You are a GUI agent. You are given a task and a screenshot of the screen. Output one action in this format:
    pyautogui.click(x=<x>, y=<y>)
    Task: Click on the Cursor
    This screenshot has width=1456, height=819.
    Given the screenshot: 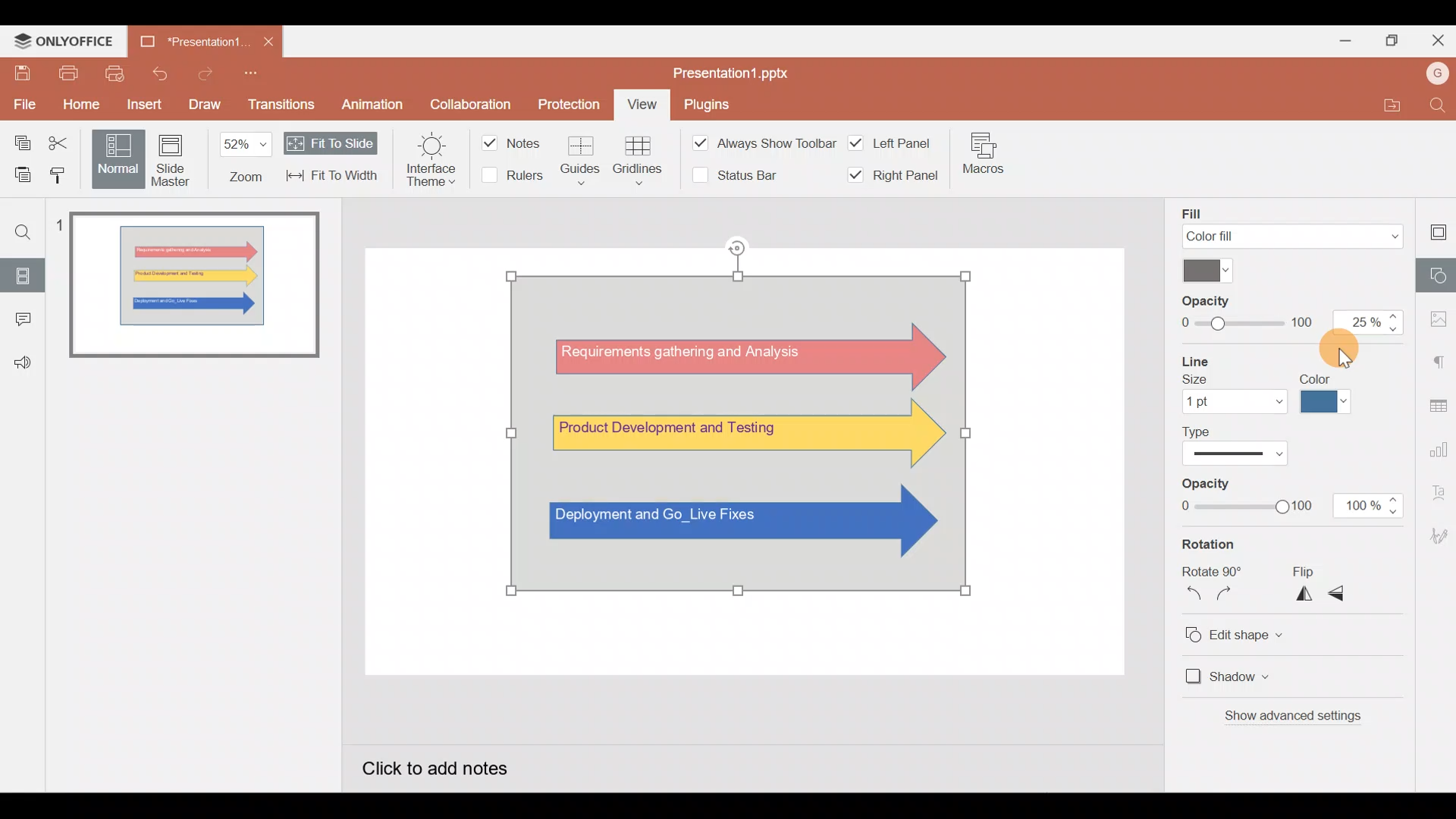 What is the action you would take?
    pyautogui.click(x=1348, y=347)
    